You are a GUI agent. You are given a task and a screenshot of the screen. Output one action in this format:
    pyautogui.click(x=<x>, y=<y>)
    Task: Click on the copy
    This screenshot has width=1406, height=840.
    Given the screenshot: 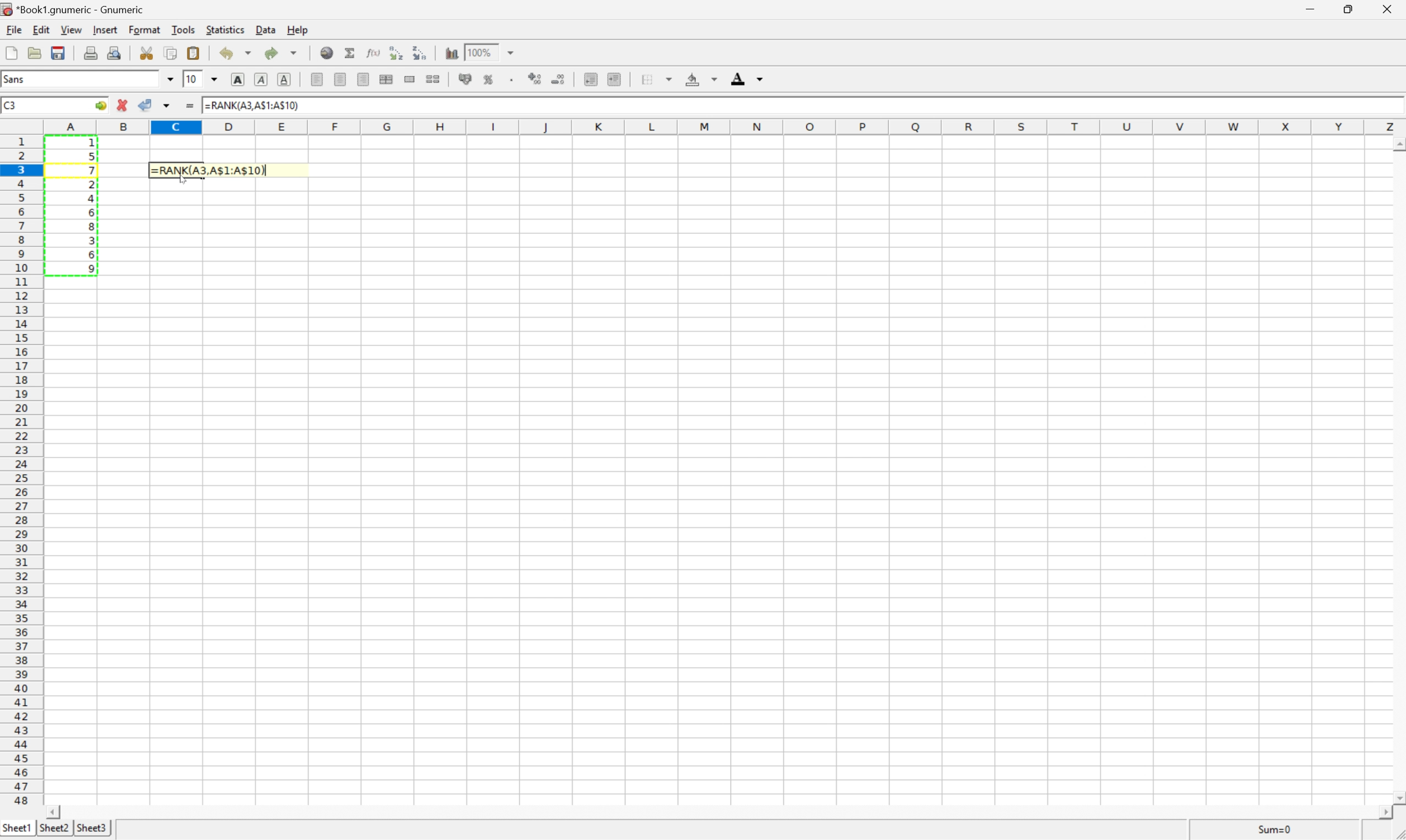 What is the action you would take?
    pyautogui.click(x=170, y=52)
    